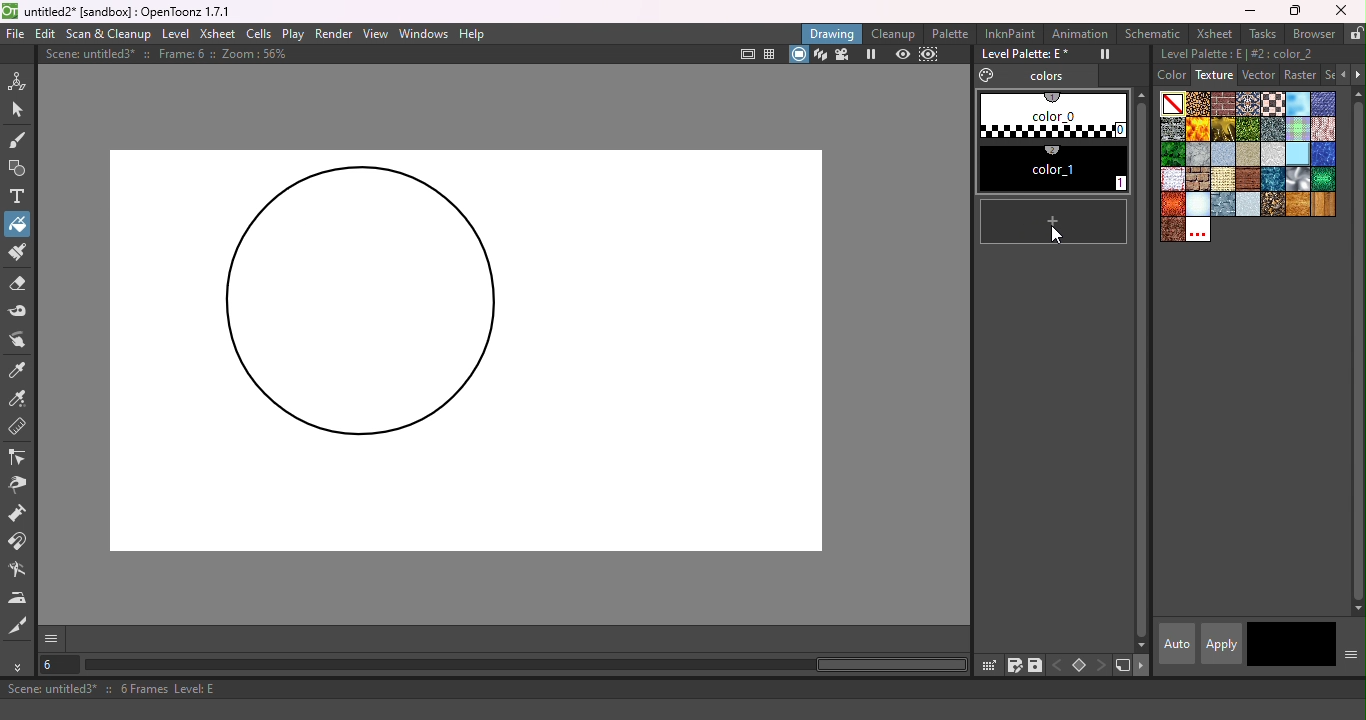 Image resolution: width=1366 pixels, height=720 pixels. Describe the element at coordinates (1175, 644) in the screenshot. I see `Auto` at that location.